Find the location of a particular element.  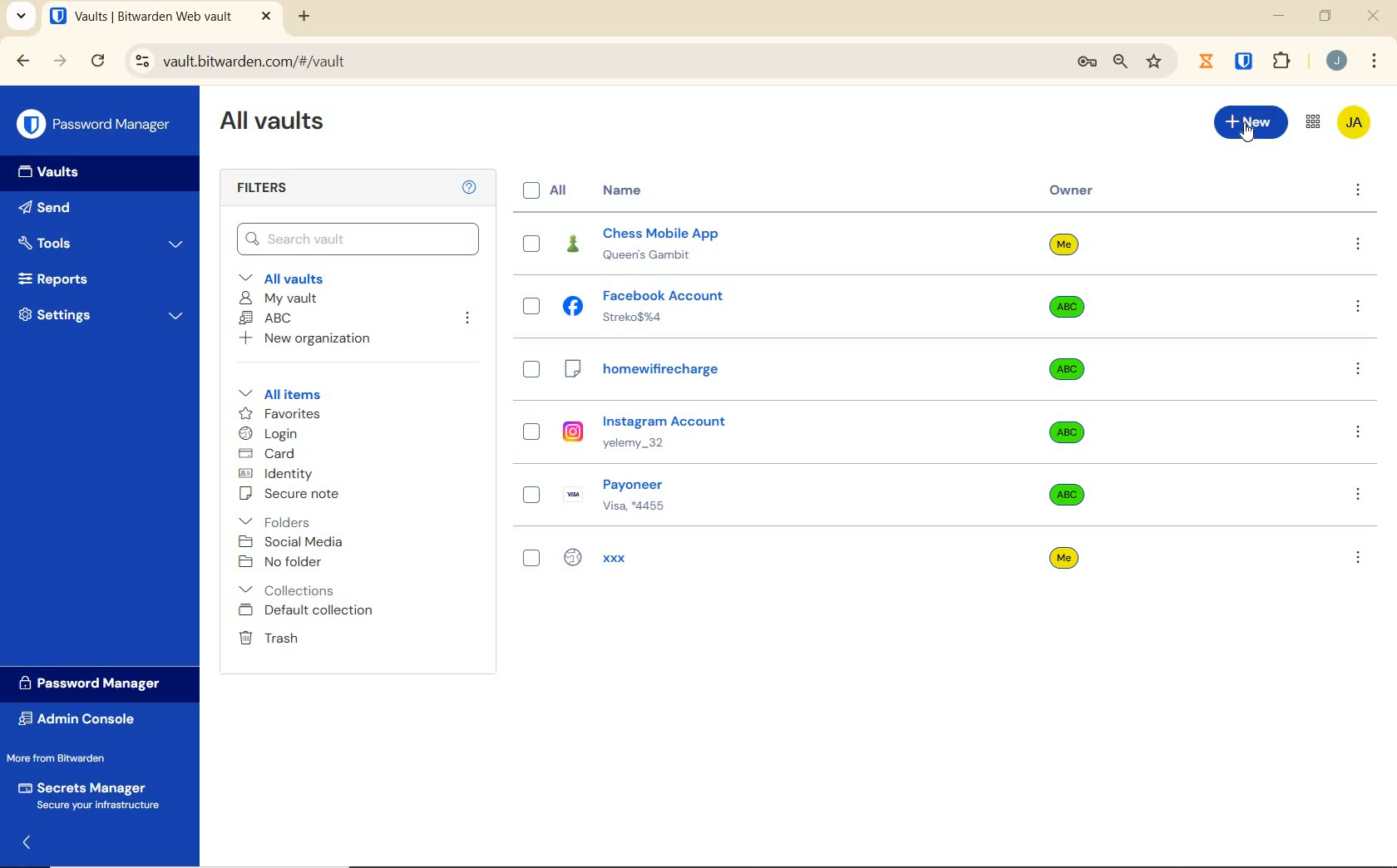

select entry is located at coordinates (532, 243).